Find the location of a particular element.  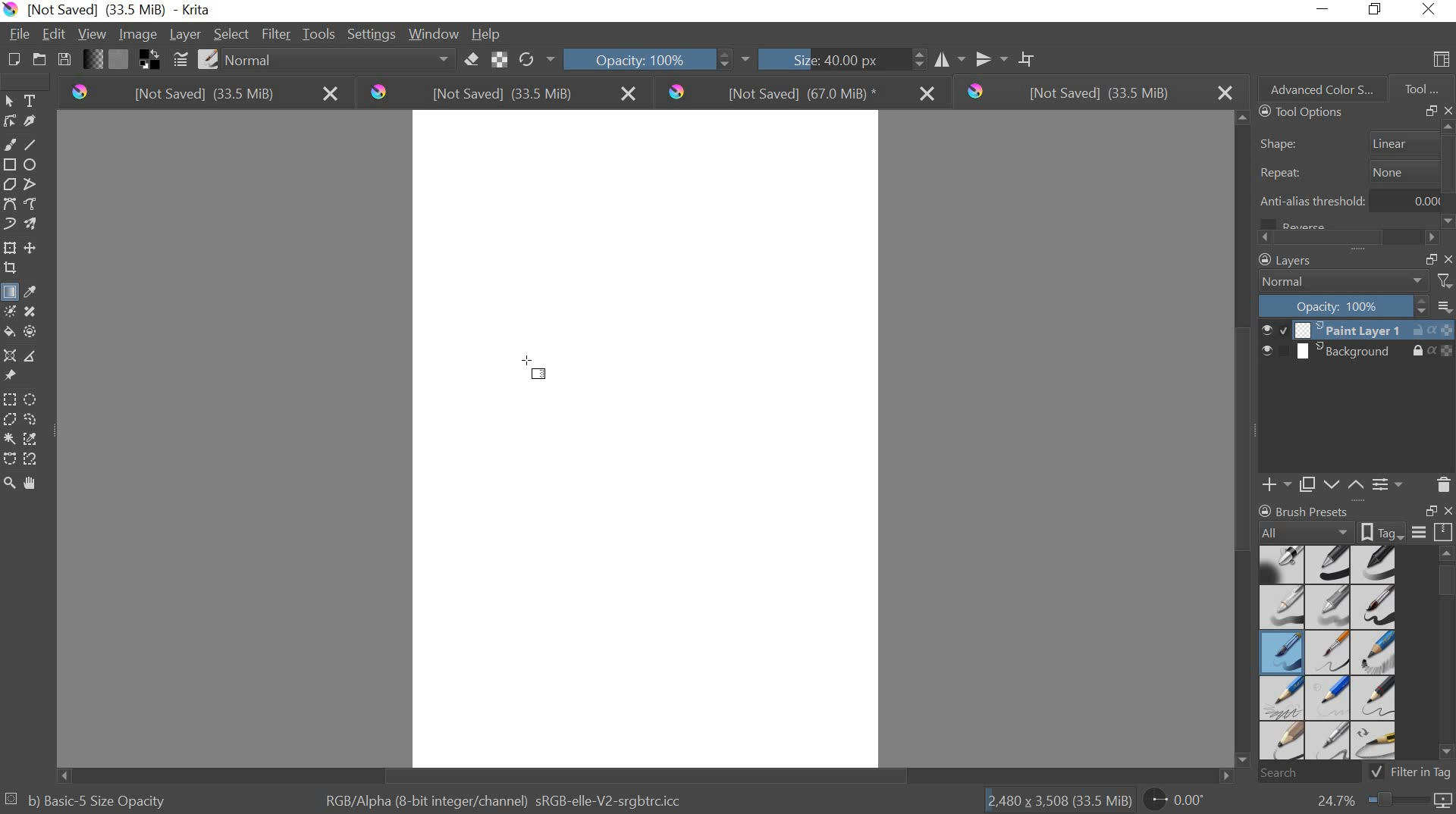

OPACITY 100% is located at coordinates (648, 58).